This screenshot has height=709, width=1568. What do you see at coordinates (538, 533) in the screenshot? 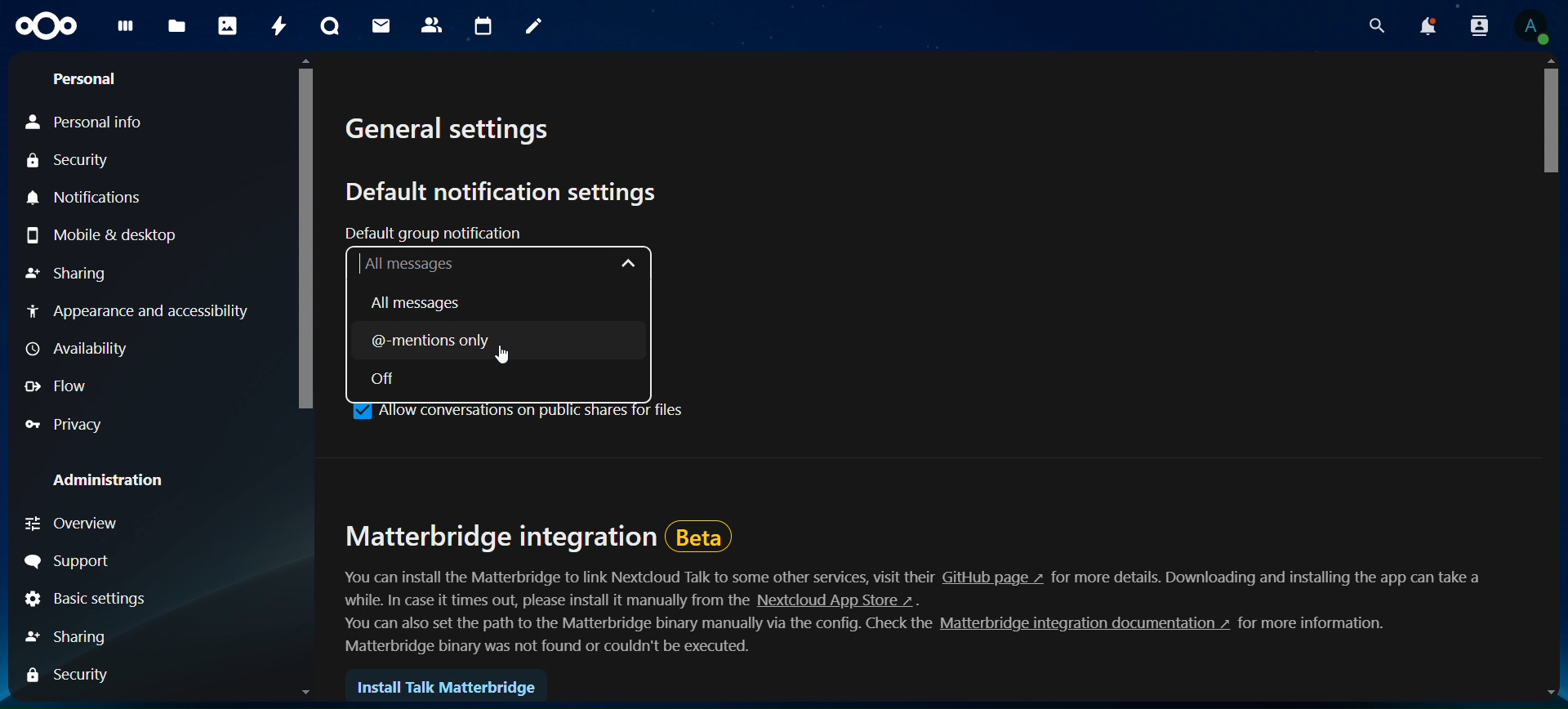
I see `matterbridge integration` at bounding box center [538, 533].